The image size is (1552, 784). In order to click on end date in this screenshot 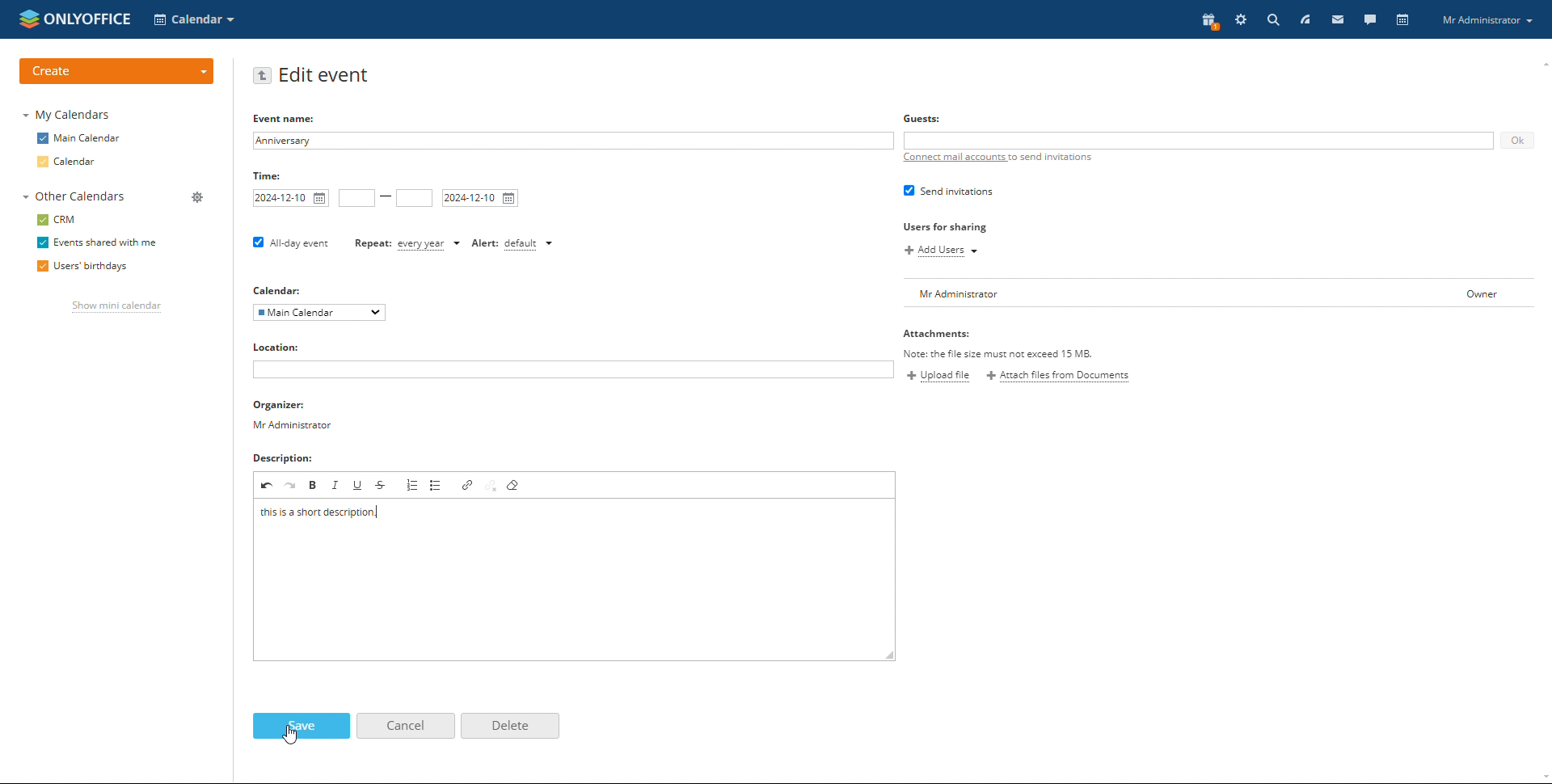, I will do `click(479, 198)`.